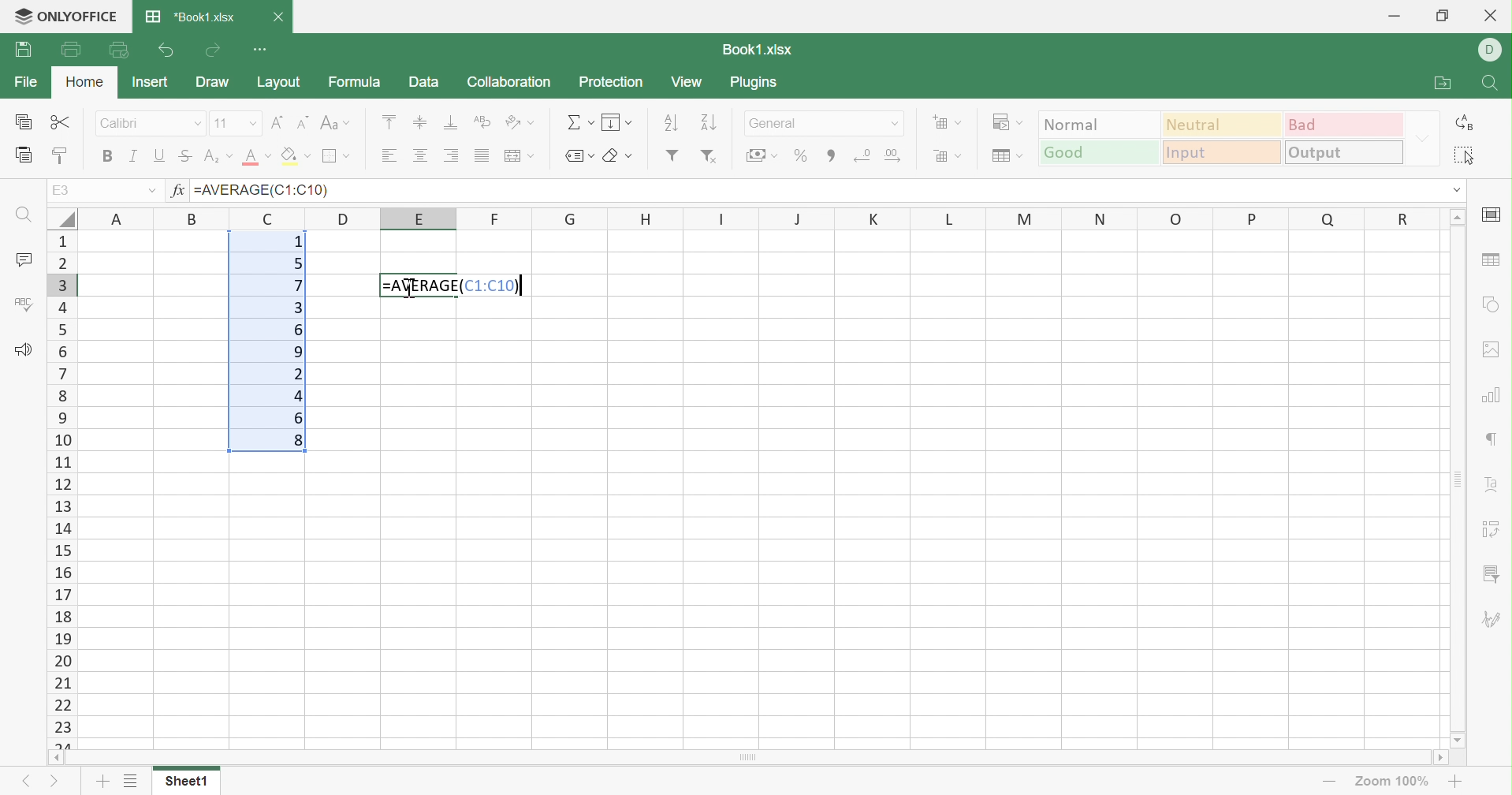  What do you see at coordinates (1496, 438) in the screenshot?
I see `Paragraph settings` at bounding box center [1496, 438].